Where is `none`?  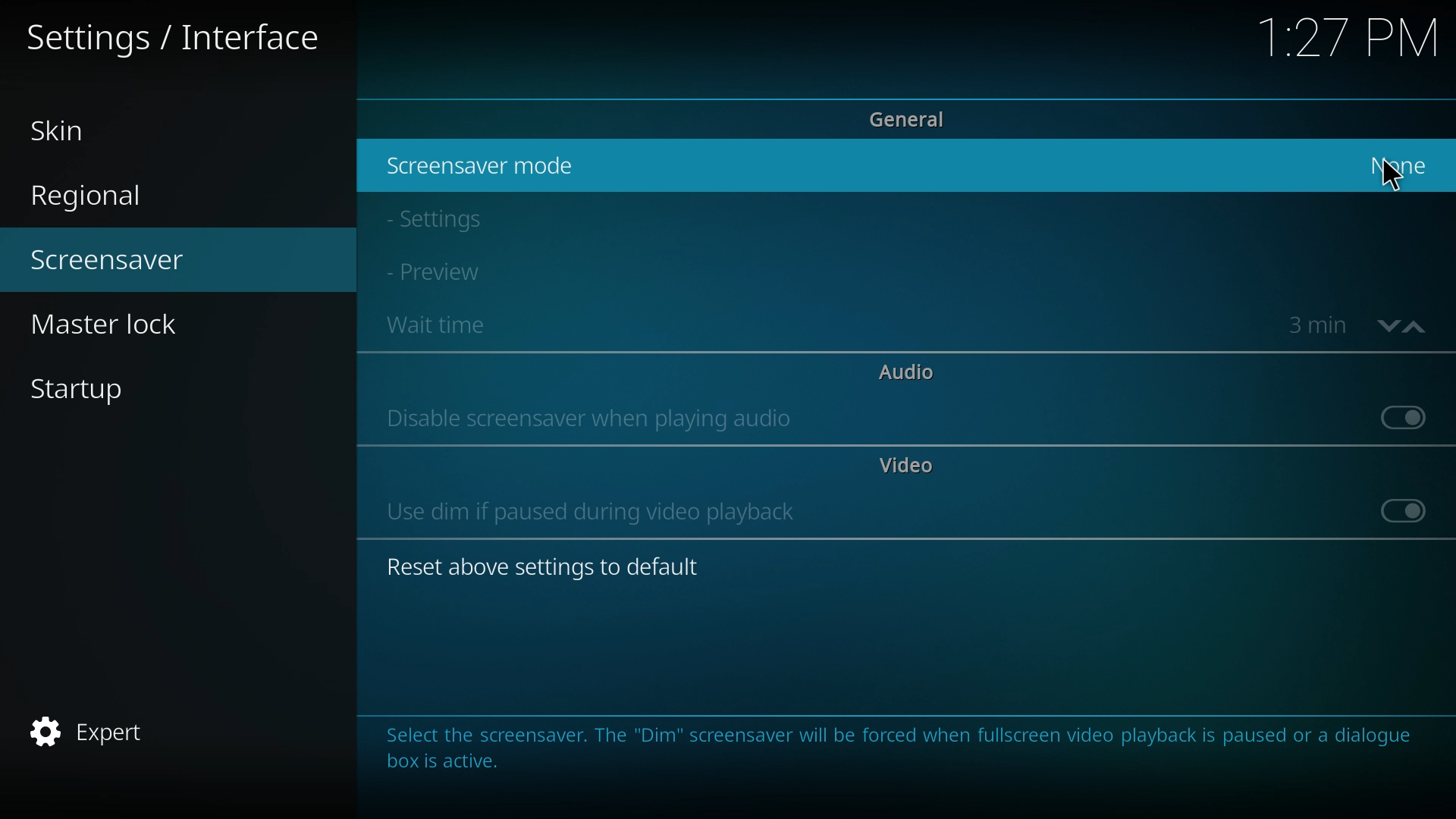
none is located at coordinates (1404, 165).